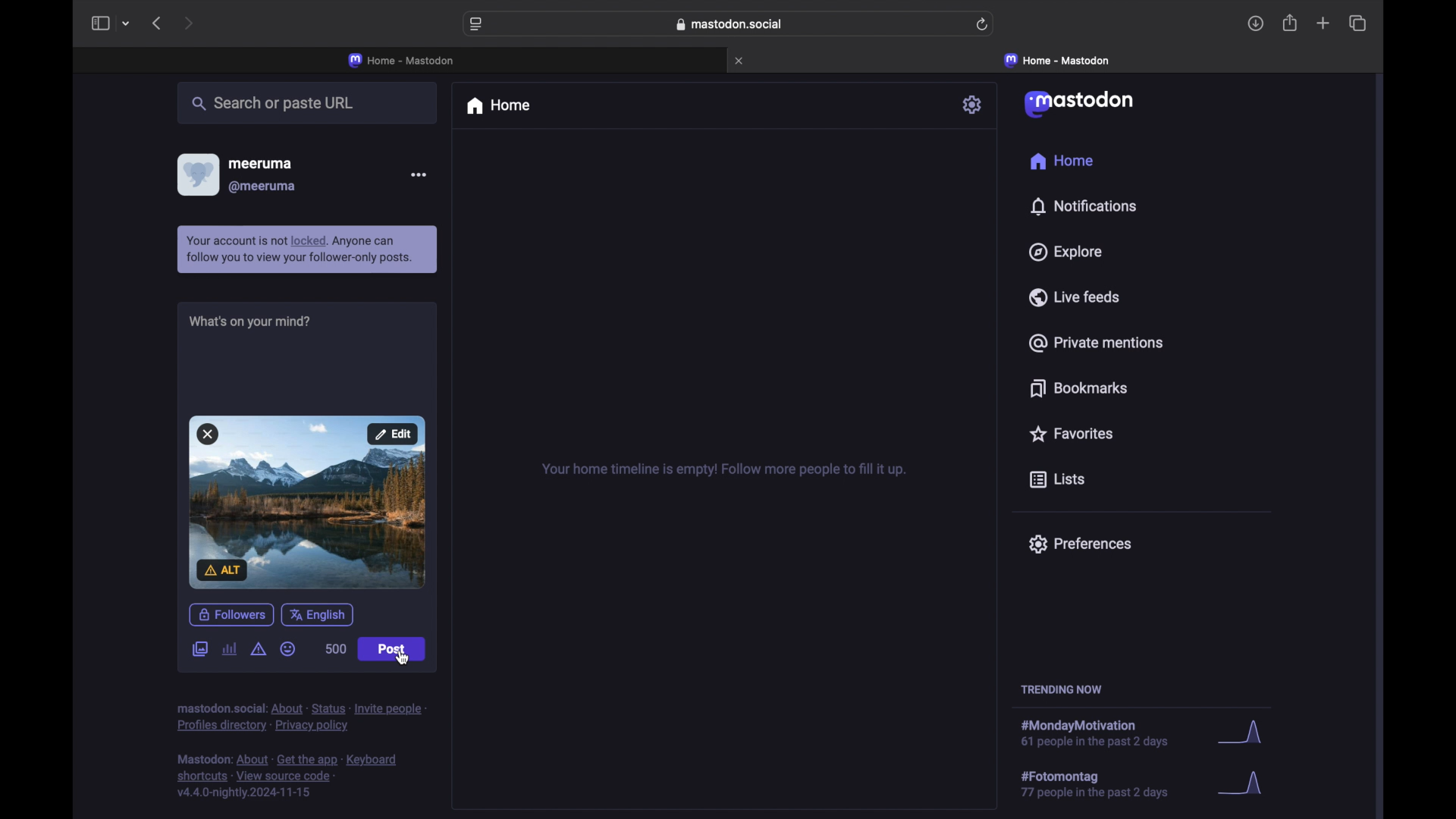  What do you see at coordinates (1057, 60) in the screenshot?
I see `home mastodon` at bounding box center [1057, 60].